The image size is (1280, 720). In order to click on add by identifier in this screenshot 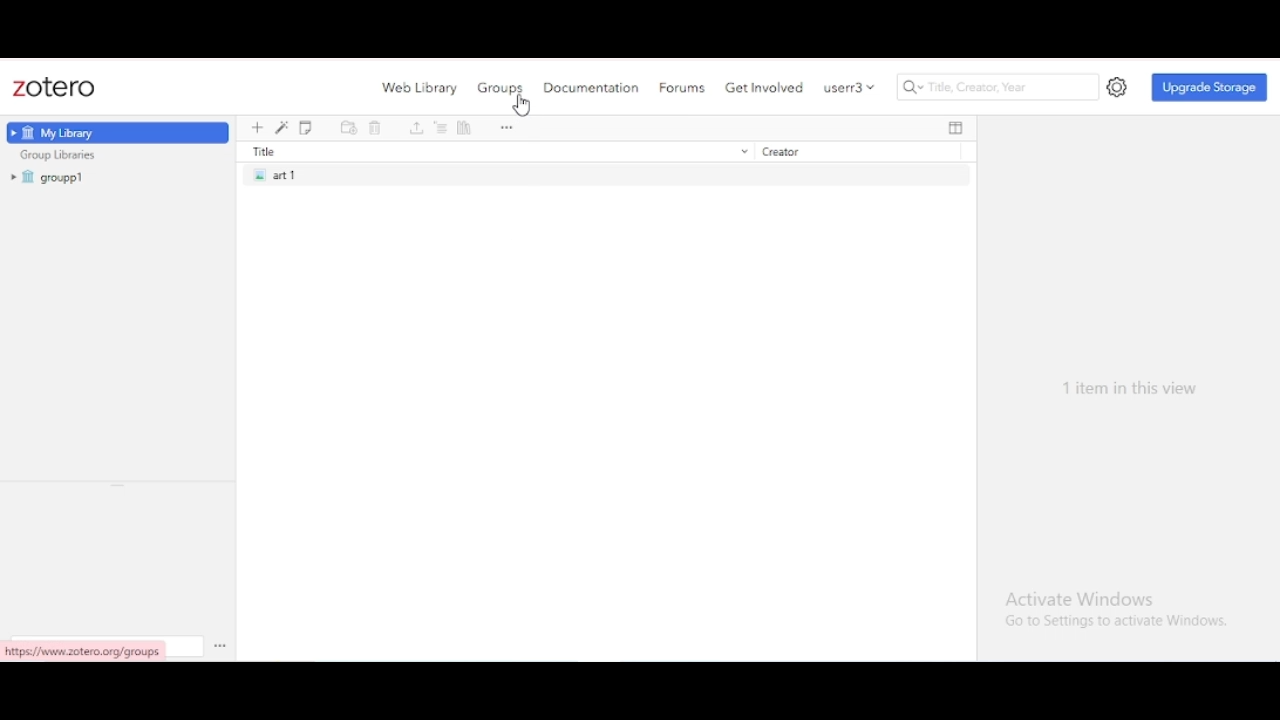, I will do `click(282, 128)`.